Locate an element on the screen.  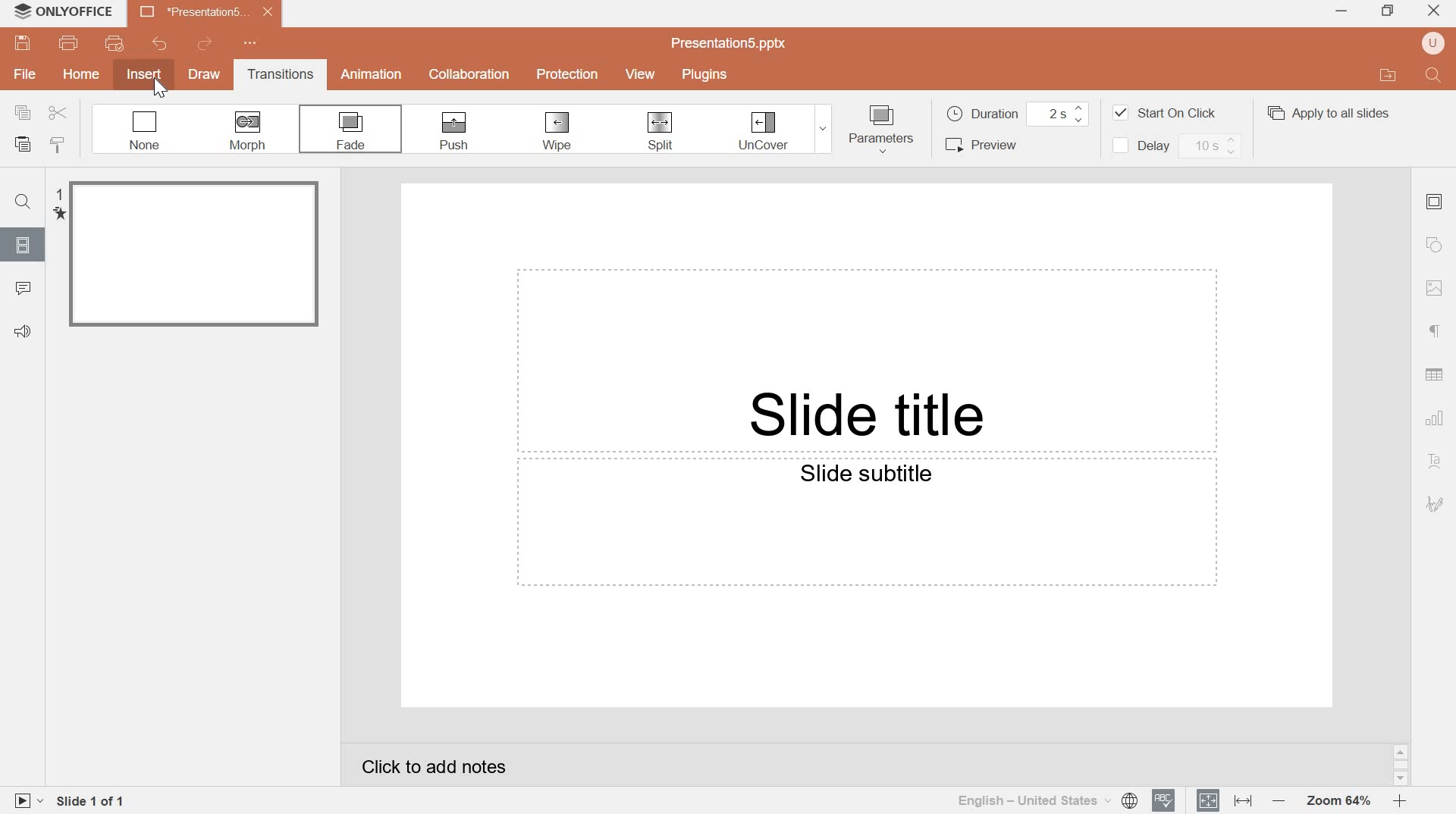
shape settings is located at coordinates (1432, 246).